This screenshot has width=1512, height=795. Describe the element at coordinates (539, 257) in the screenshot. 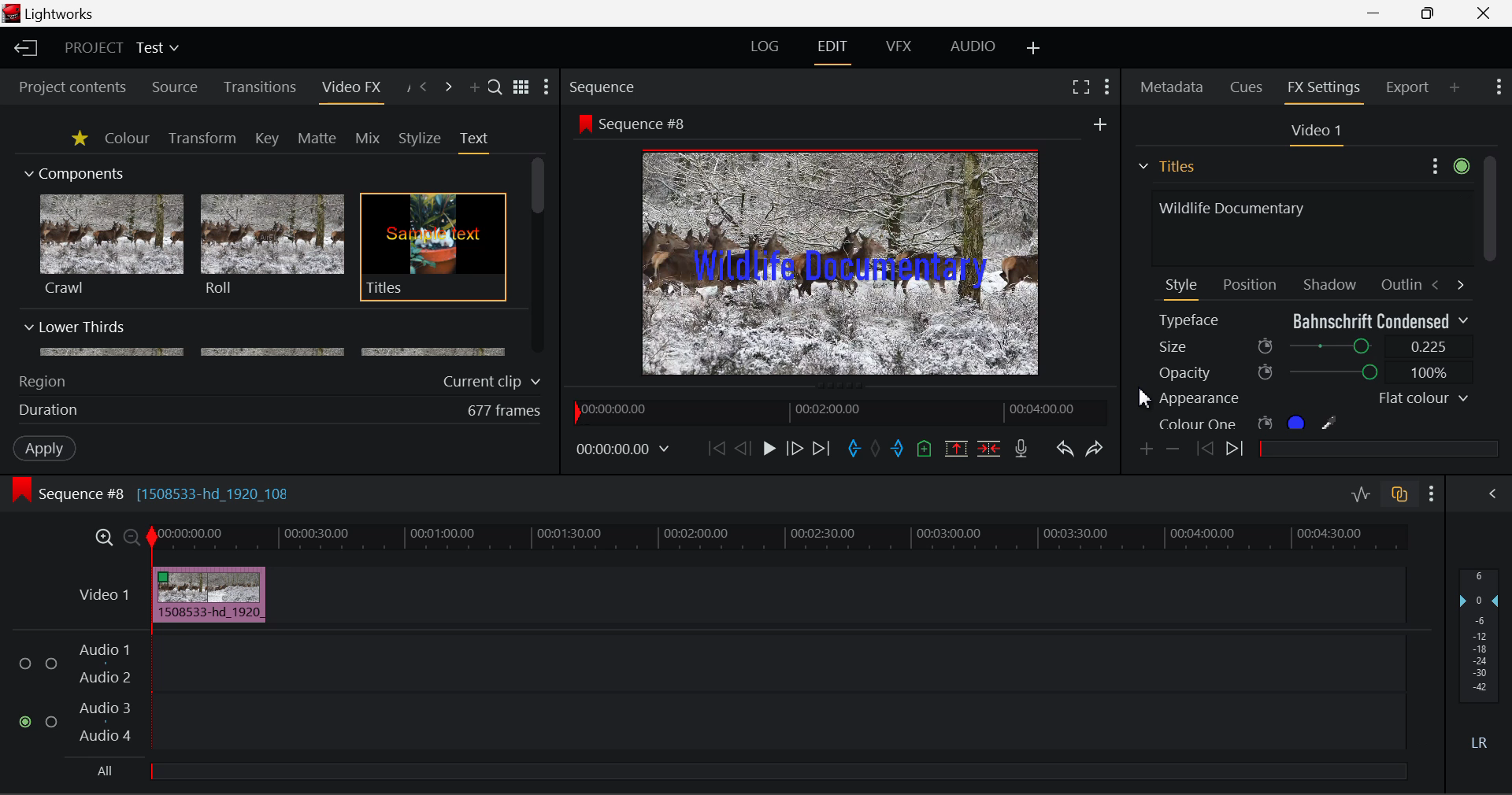

I see `Scroll Bar` at that location.